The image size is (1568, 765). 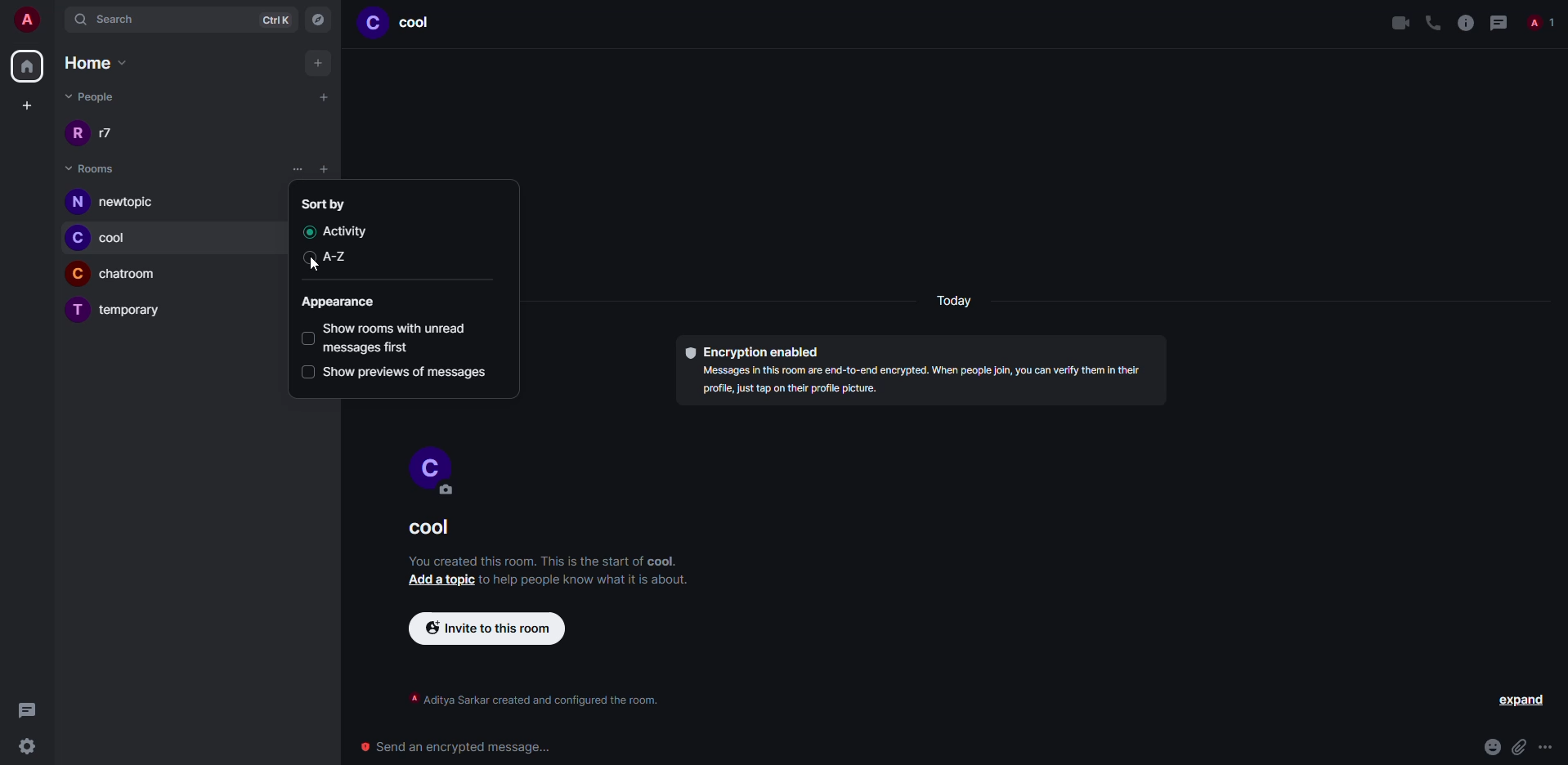 What do you see at coordinates (325, 204) in the screenshot?
I see `sort by` at bounding box center [325, 204].